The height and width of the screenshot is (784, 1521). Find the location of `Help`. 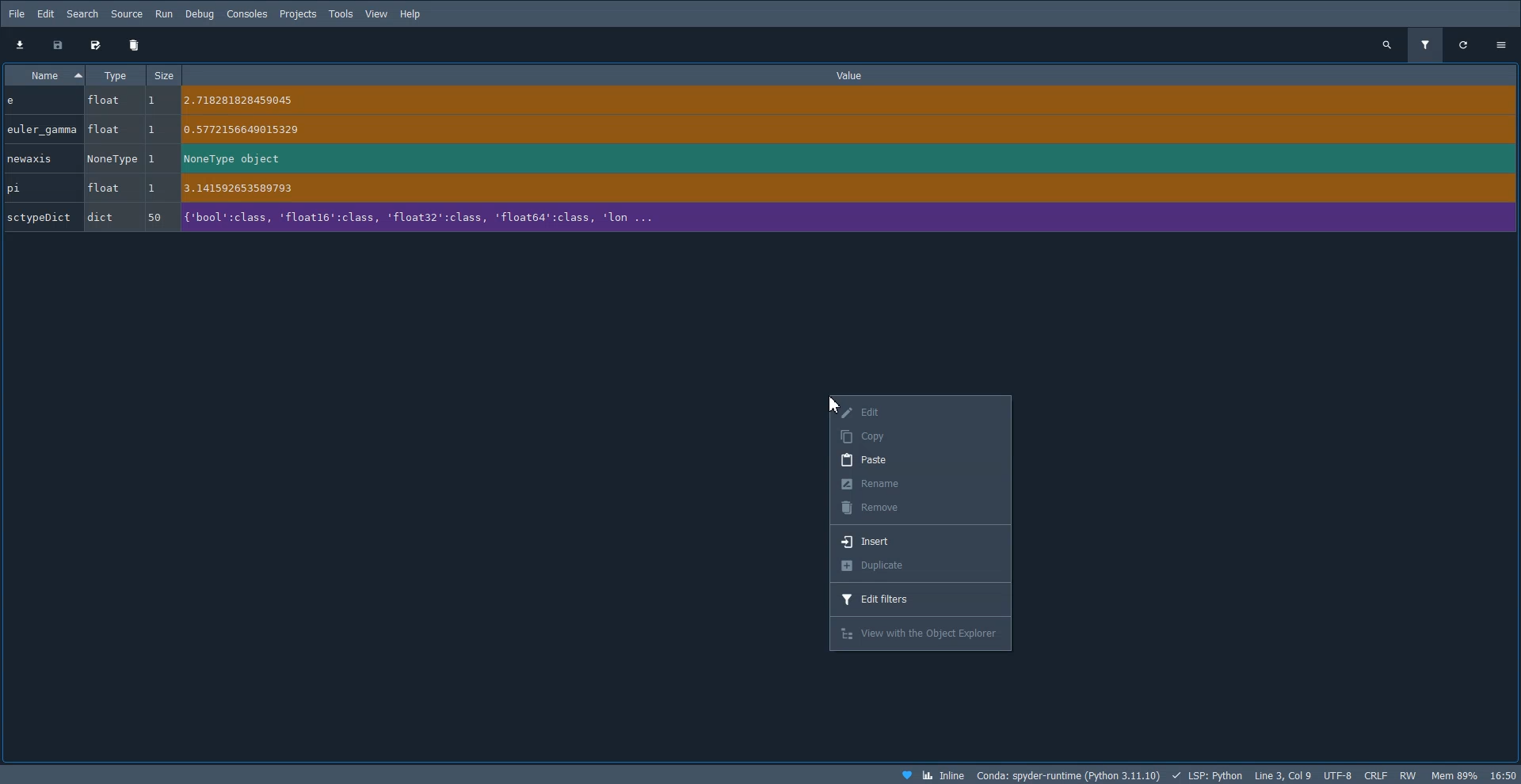

Help is located at coordinates (410, 13).